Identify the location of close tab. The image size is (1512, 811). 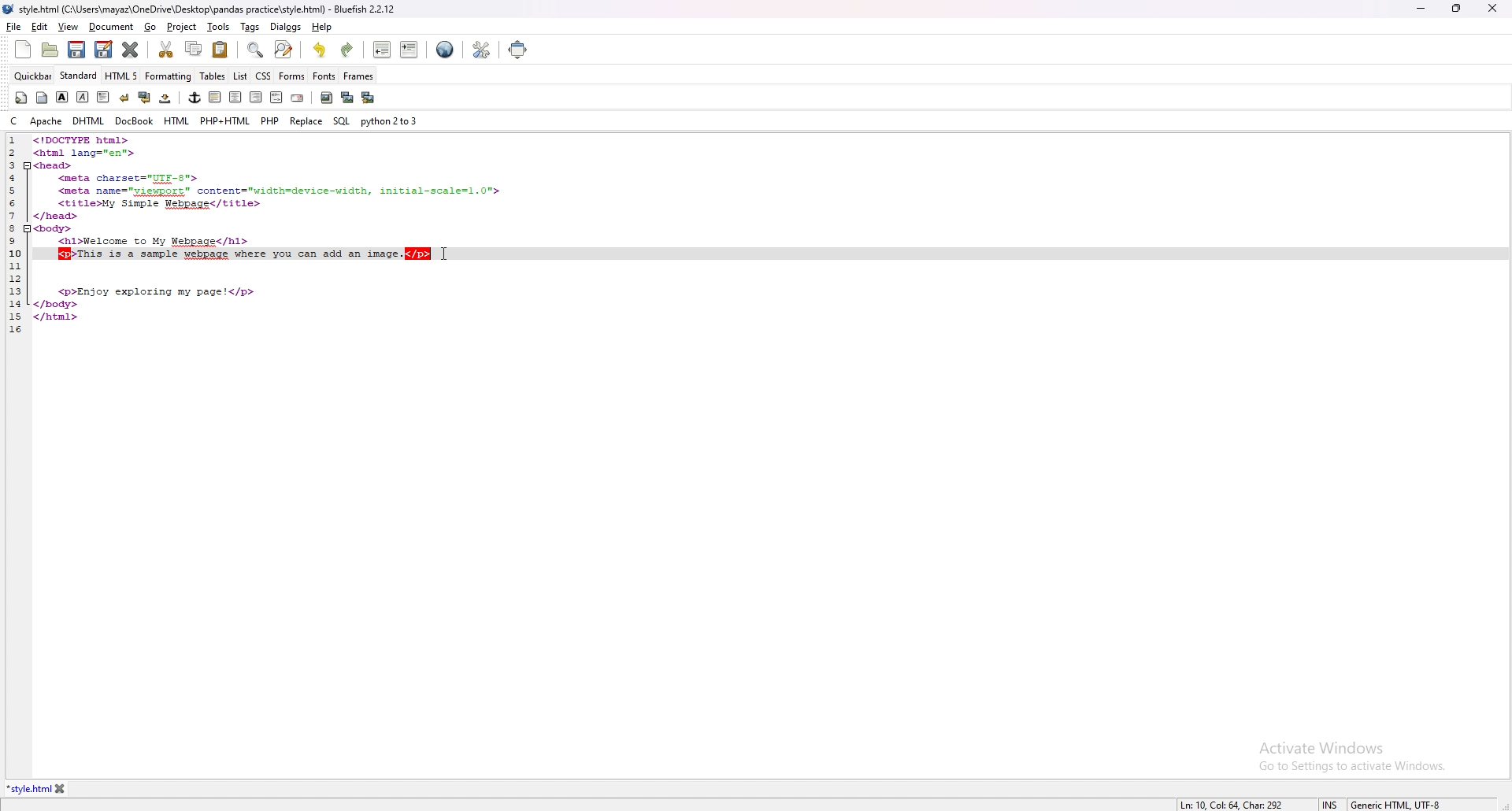
(63, 788).